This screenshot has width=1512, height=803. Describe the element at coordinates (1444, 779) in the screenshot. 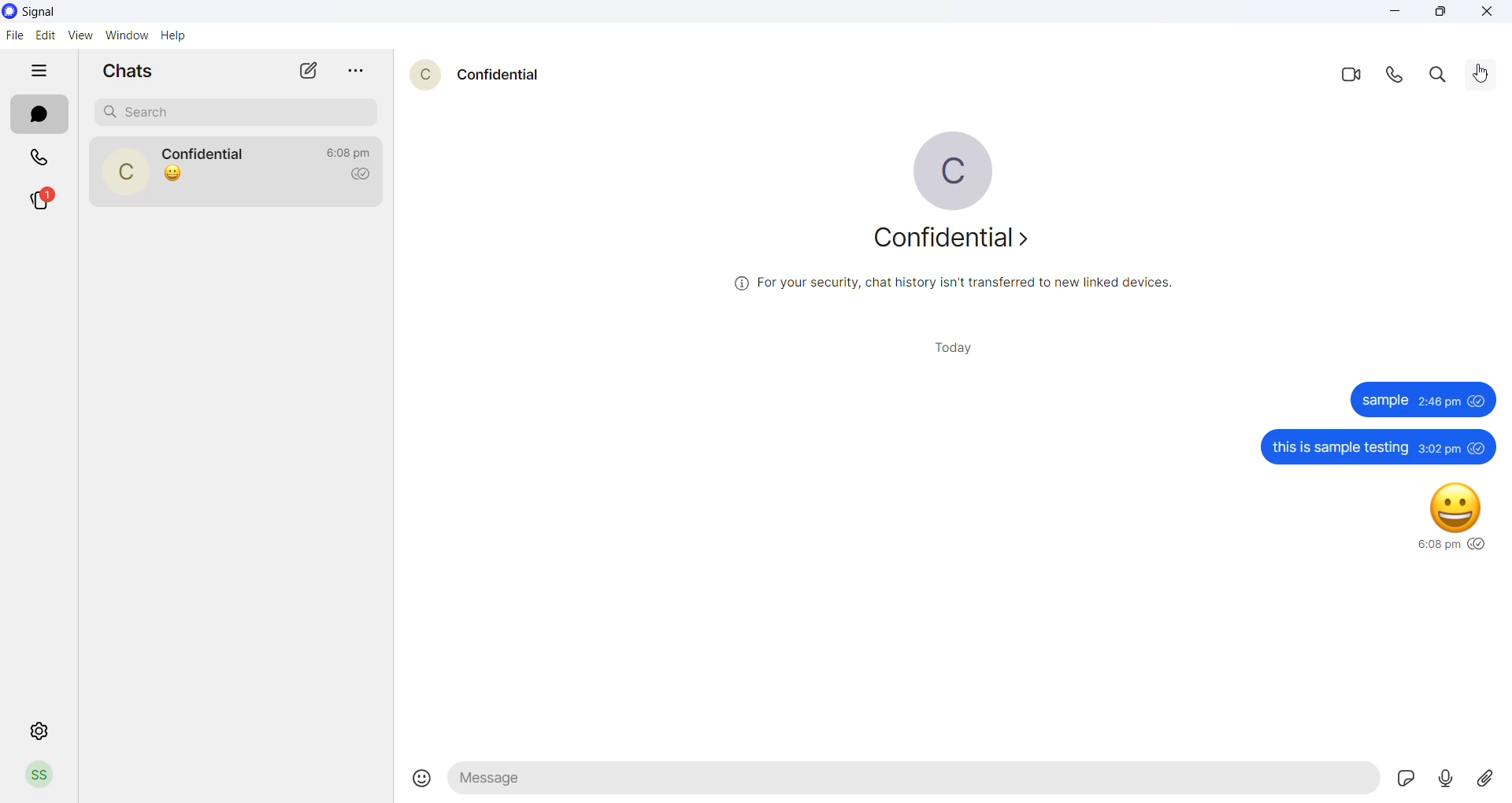

I see `voice note` at that location.